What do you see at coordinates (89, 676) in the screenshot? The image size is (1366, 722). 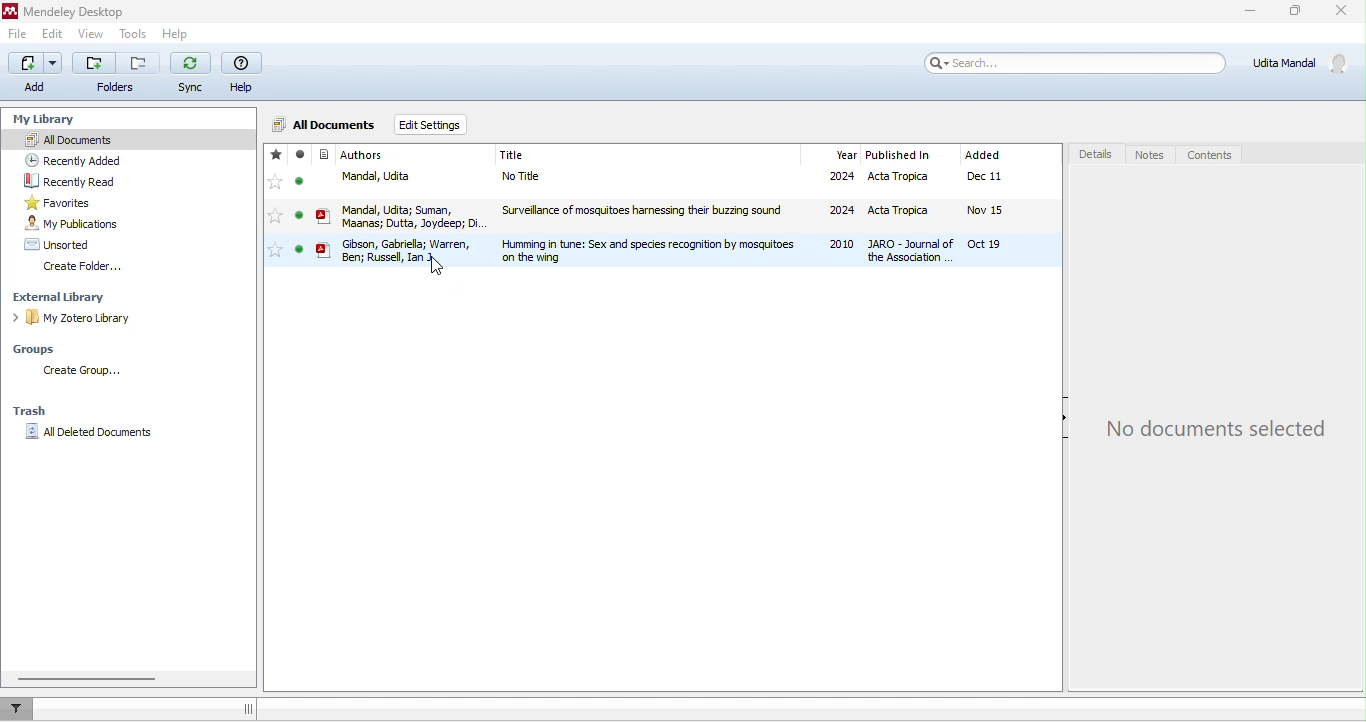 I see `horizontal scroll bar` at bounding box center [89, 676].